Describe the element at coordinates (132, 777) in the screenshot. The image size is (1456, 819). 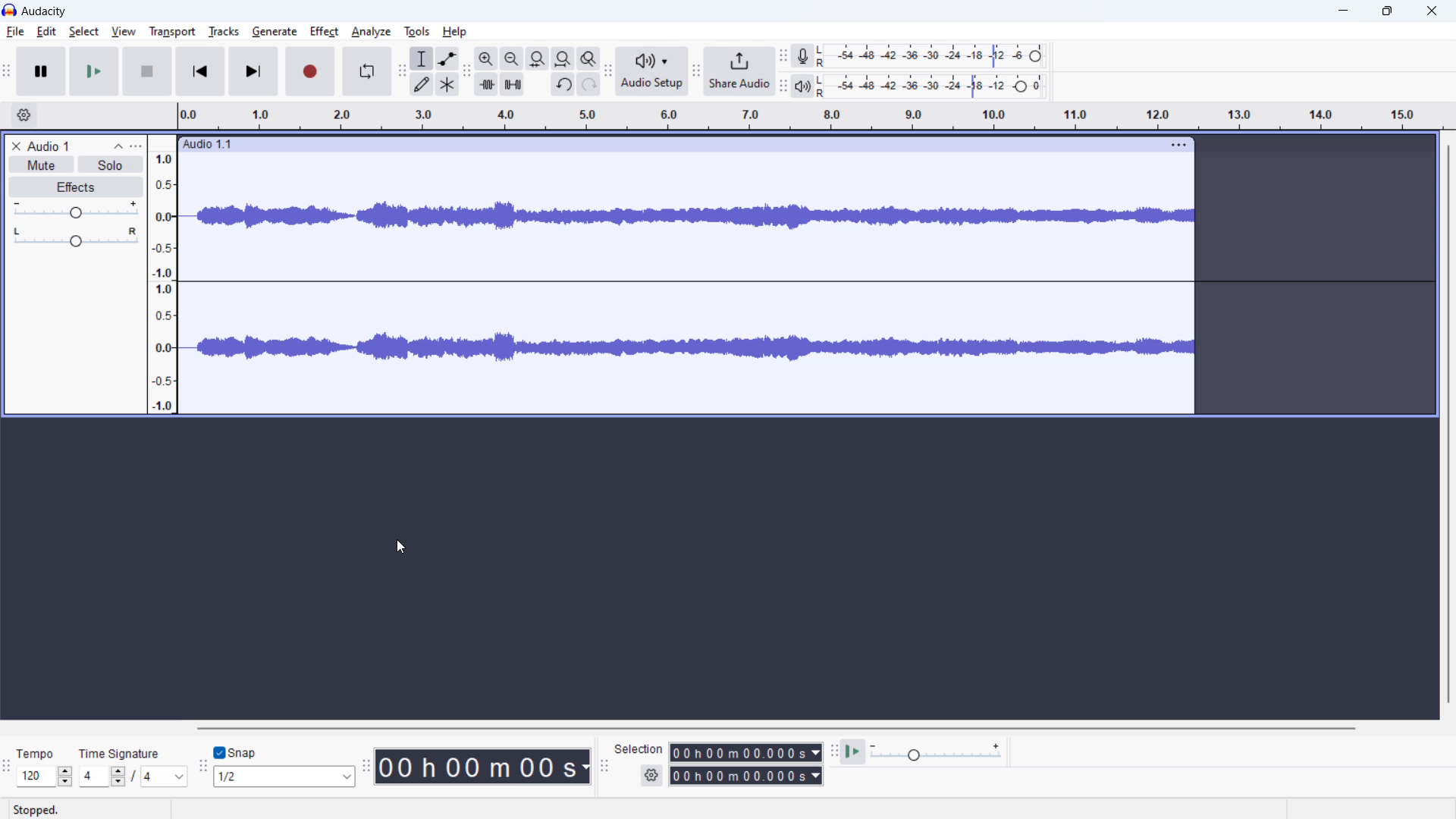
I see `time signature toolbar` at that location.